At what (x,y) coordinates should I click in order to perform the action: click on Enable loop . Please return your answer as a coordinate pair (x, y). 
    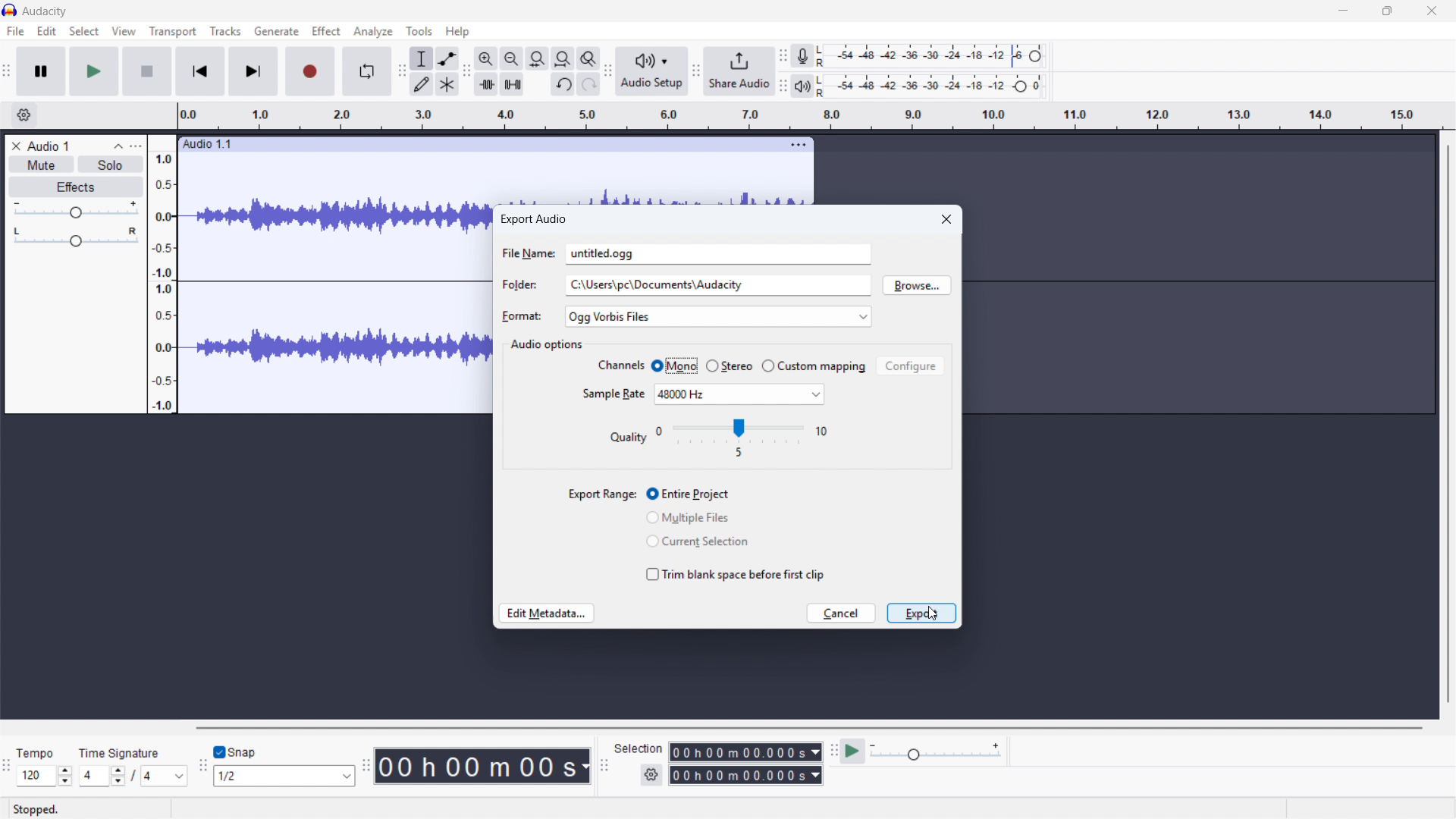
    Looking at the image, I should click on (368, 71).